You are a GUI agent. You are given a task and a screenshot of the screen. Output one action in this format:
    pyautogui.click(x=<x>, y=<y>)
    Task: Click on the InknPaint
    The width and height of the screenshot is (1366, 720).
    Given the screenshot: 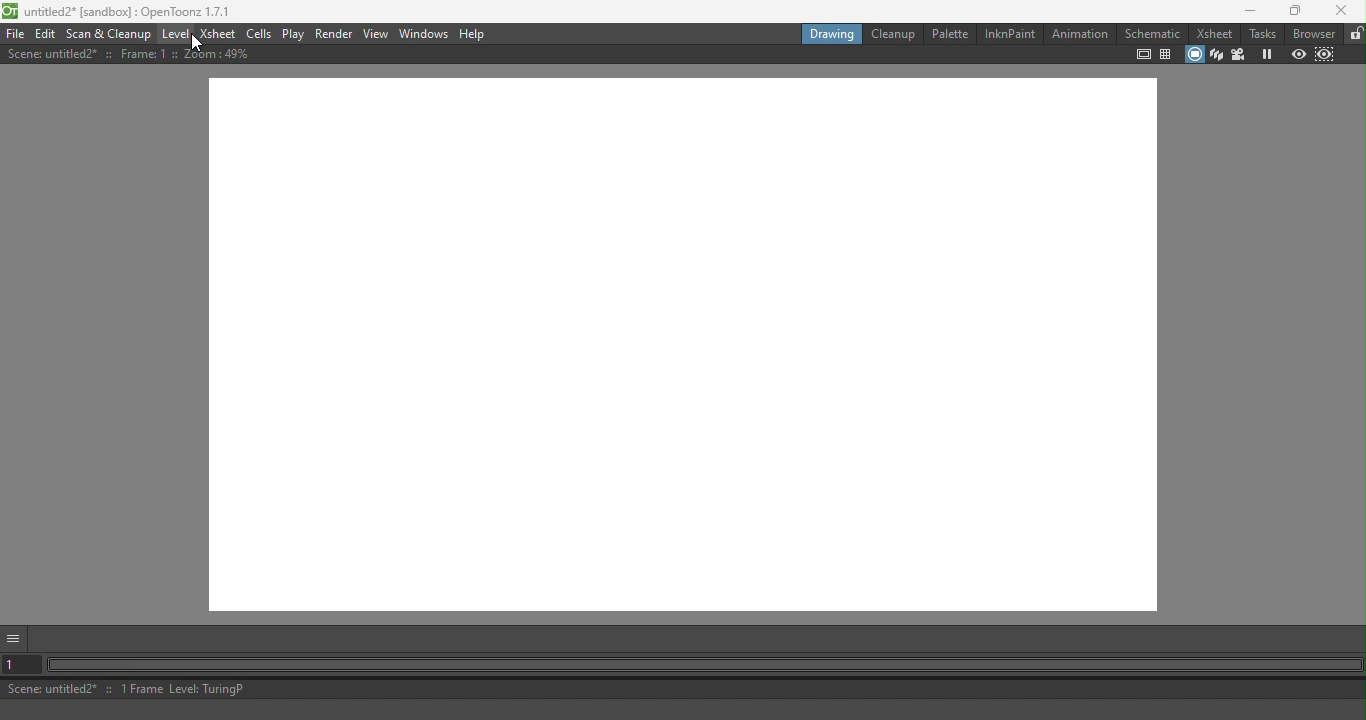 What is the action you would take?
    pyautogui.click(x=1007, y=36)
    